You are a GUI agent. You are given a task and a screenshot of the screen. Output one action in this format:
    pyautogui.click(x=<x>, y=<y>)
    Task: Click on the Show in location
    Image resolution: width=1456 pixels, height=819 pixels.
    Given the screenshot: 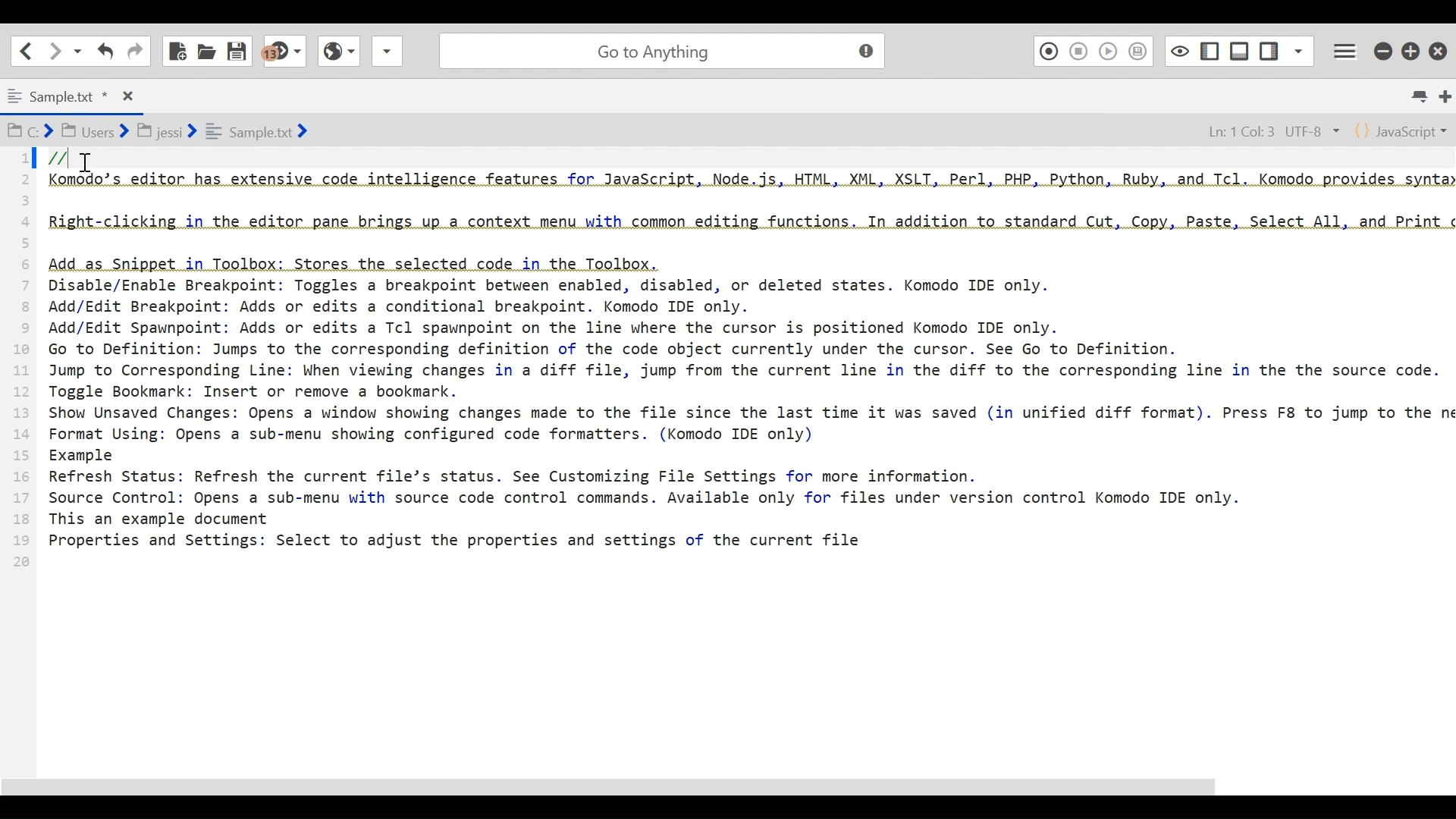 What is the action you would take?
    pyautogui.click(x=159, y=130)
    